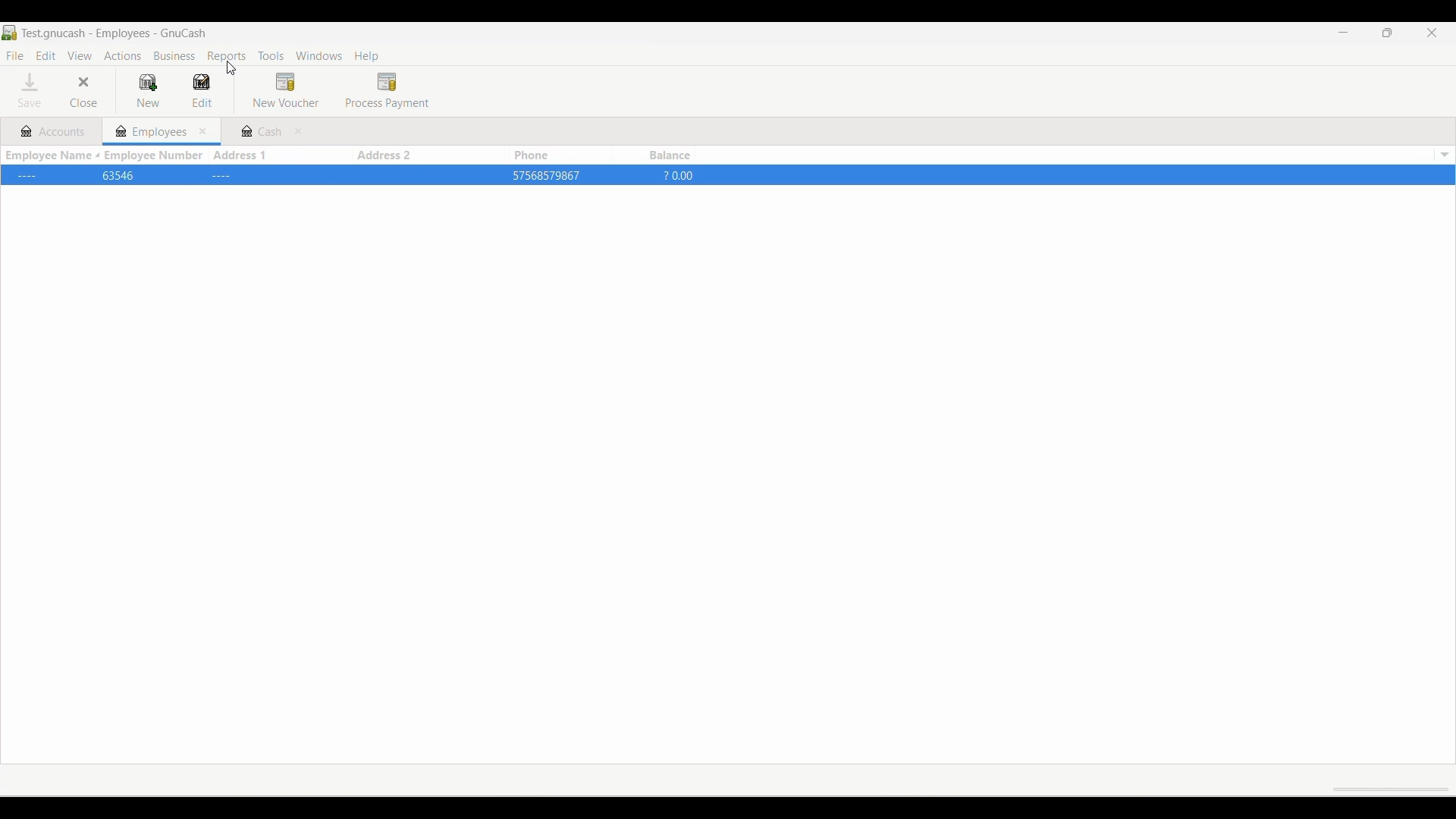  Describe the element at coordinates (226, 56) in the screenshot. I see `Reports` at that location.